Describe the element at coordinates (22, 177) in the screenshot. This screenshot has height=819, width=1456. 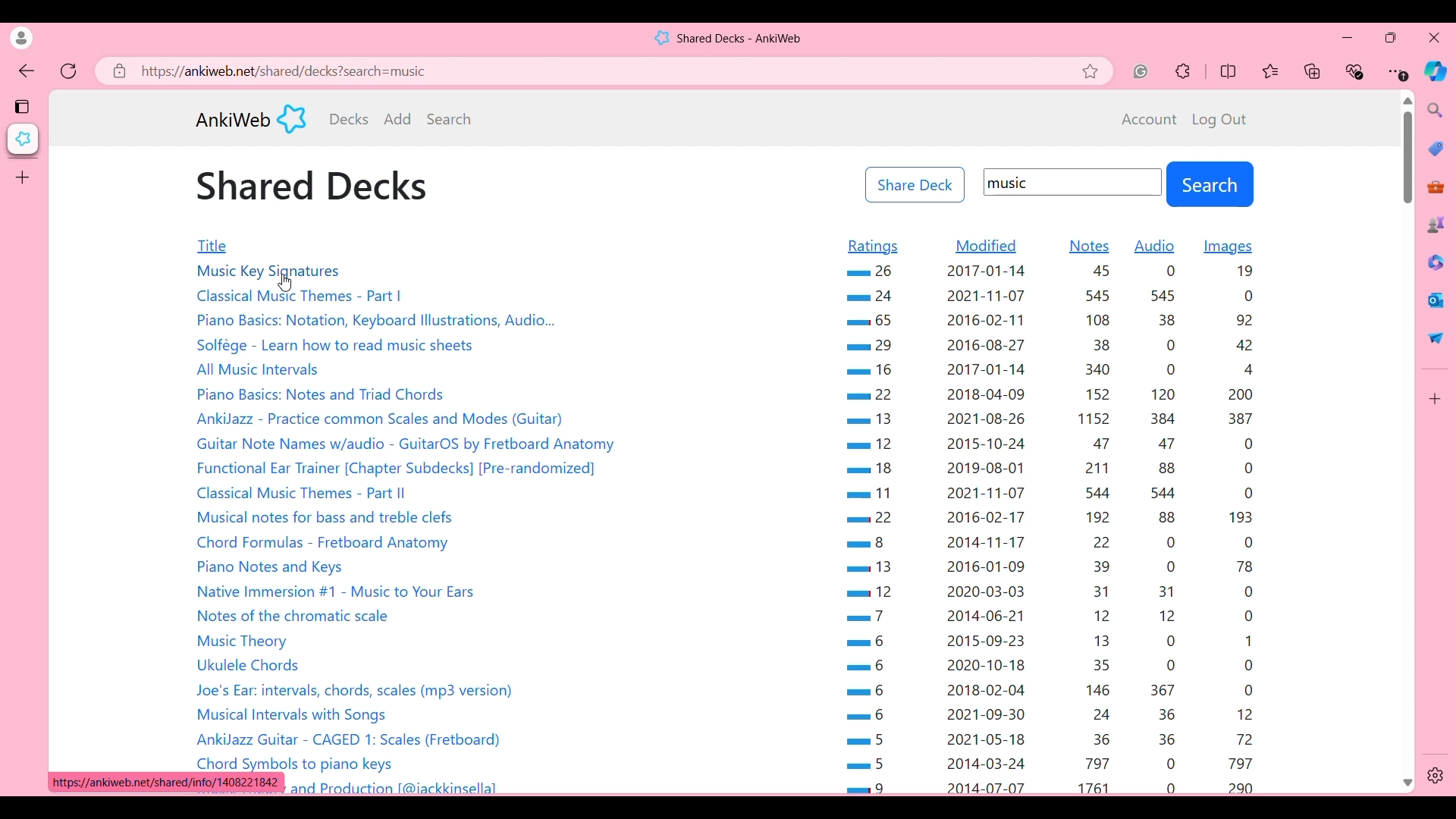
I see `Add tab` at that location.